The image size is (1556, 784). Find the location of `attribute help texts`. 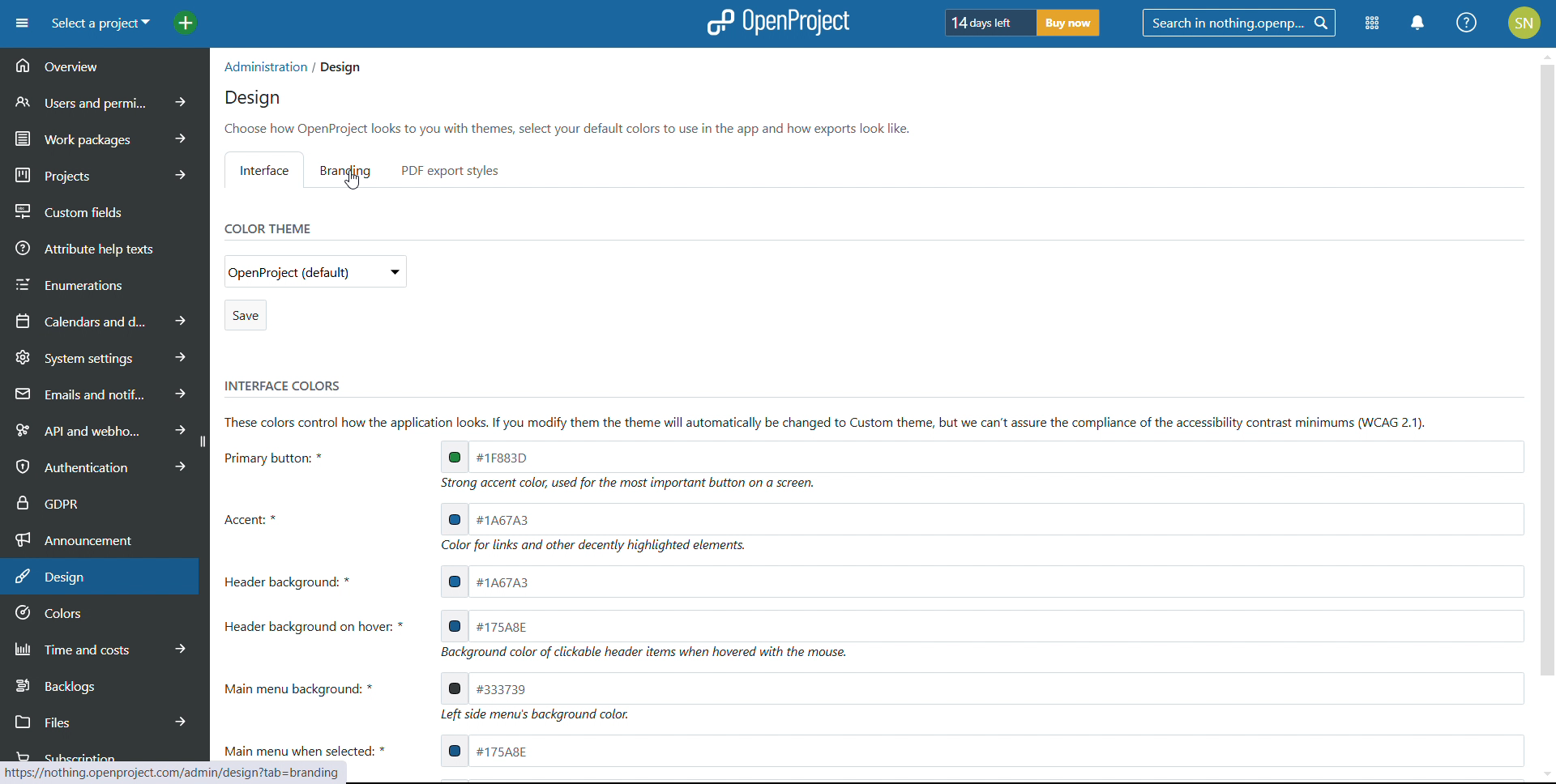

attribute help texts is located at coordinates (105, 247).